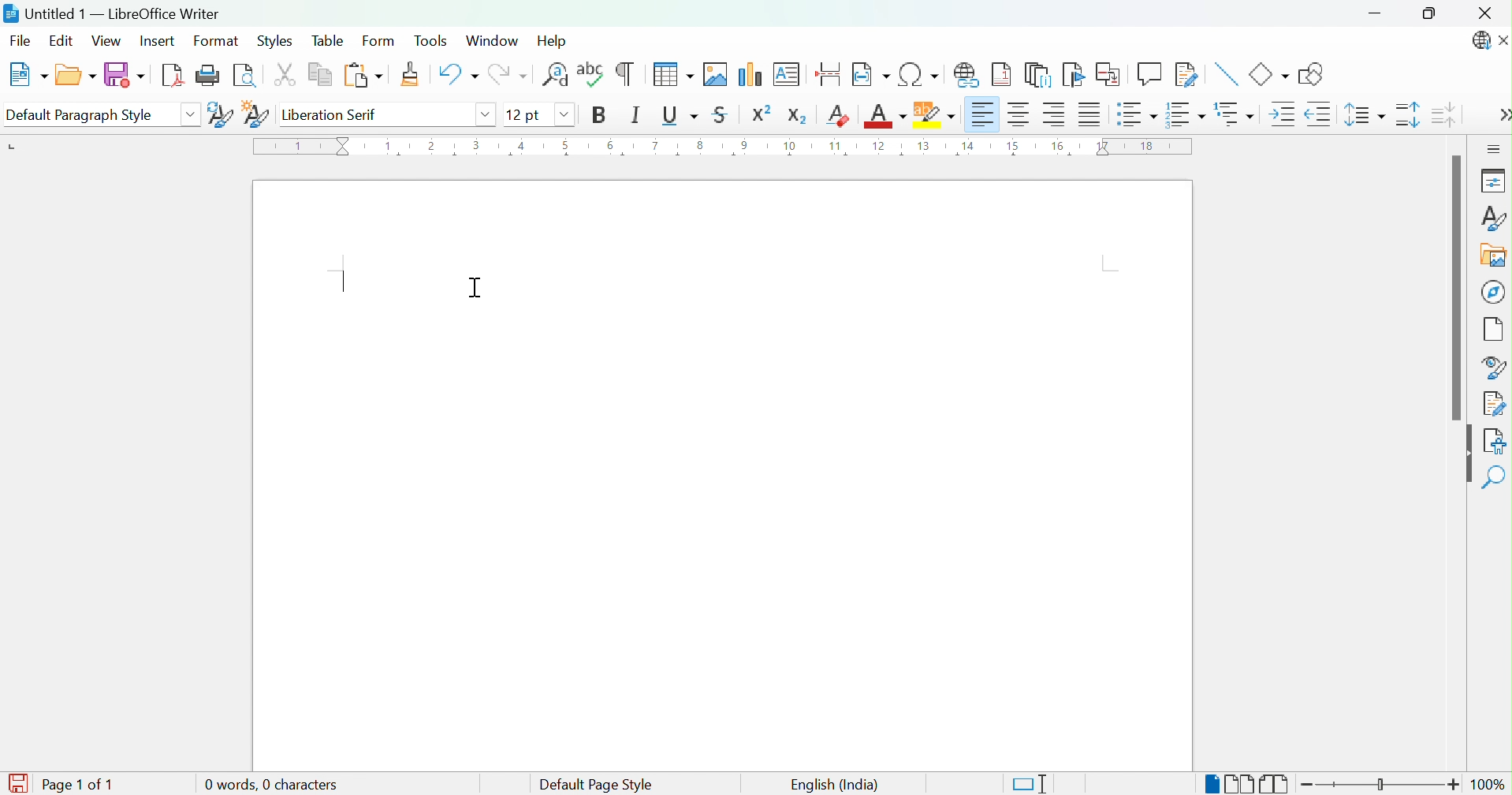 The width and height of the screenshot is (1512, 795). I want to click on Insert Hyperlink, so click(968, 73).